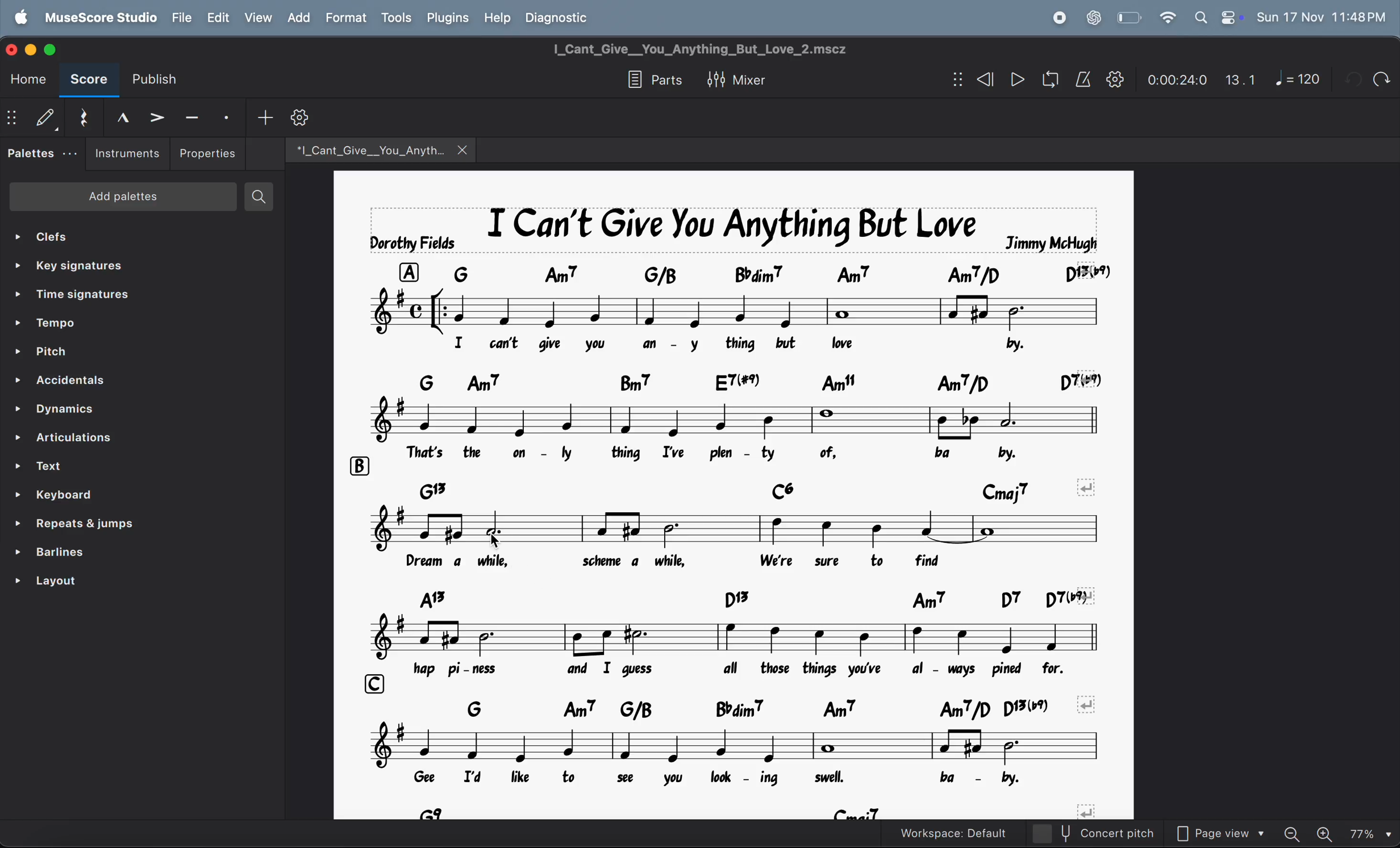 Image resolution: width=1400 pixels, height=848 pixels. I want to click on notes, so click(732, 745).